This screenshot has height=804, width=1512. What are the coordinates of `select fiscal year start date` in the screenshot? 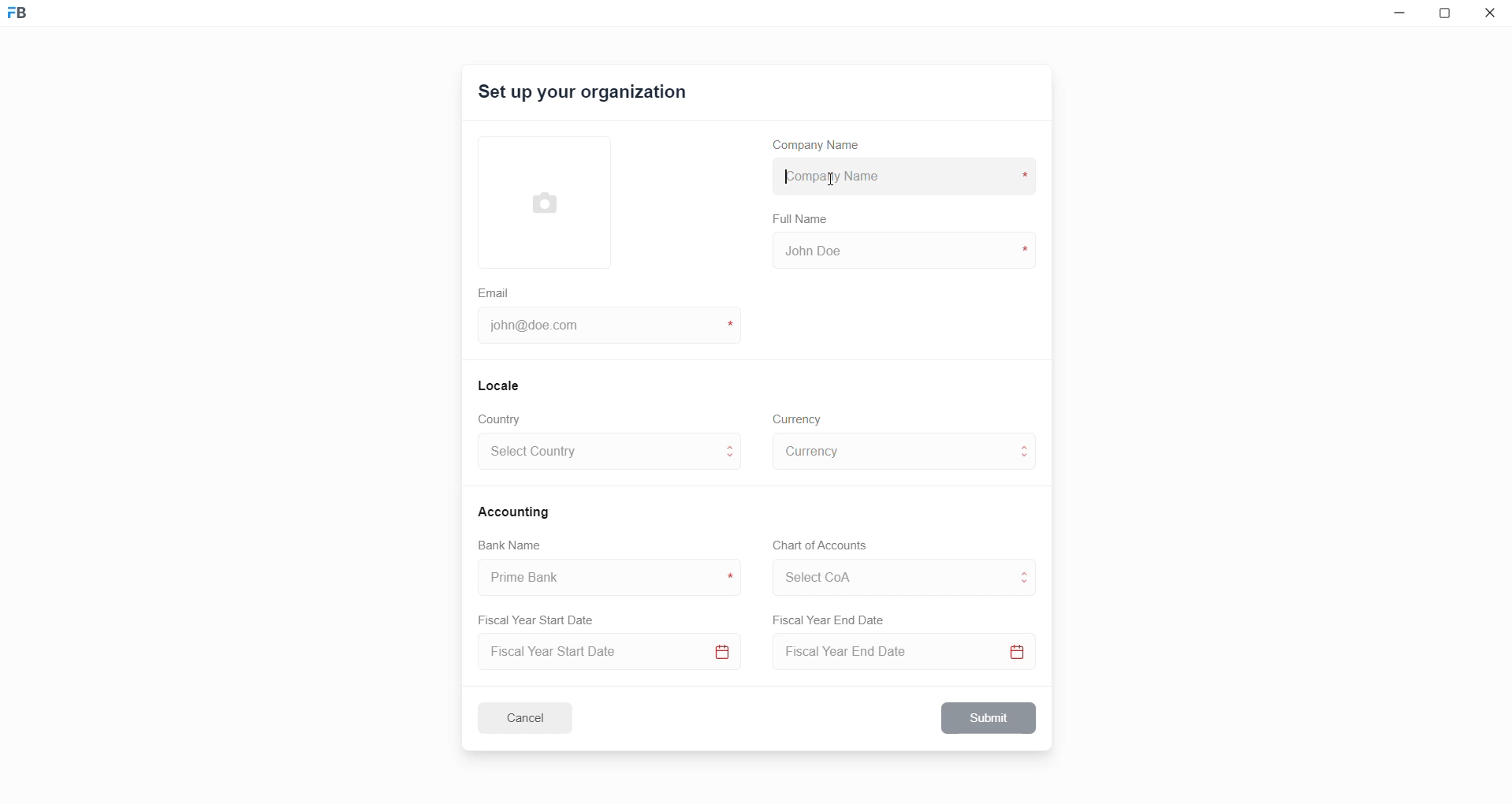 It's located at (605, 653).